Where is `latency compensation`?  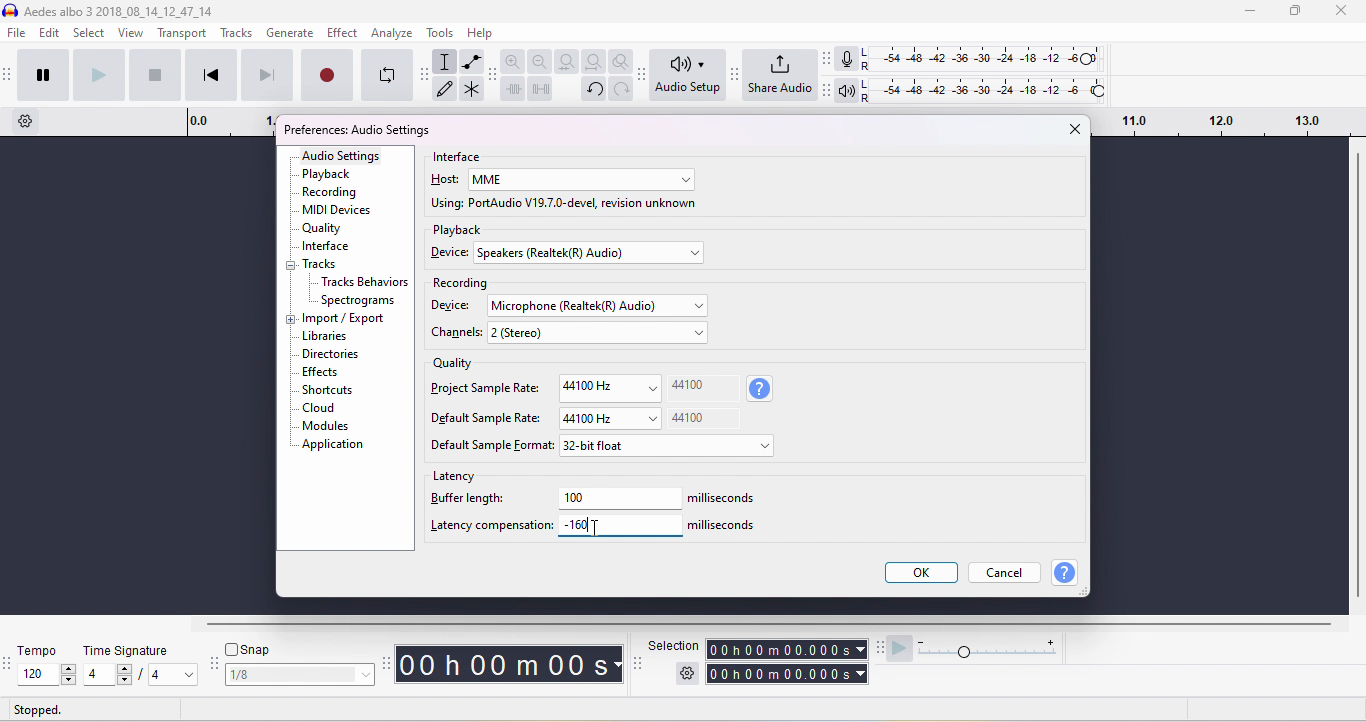 latency compensation is located at coordinates (491, 525).